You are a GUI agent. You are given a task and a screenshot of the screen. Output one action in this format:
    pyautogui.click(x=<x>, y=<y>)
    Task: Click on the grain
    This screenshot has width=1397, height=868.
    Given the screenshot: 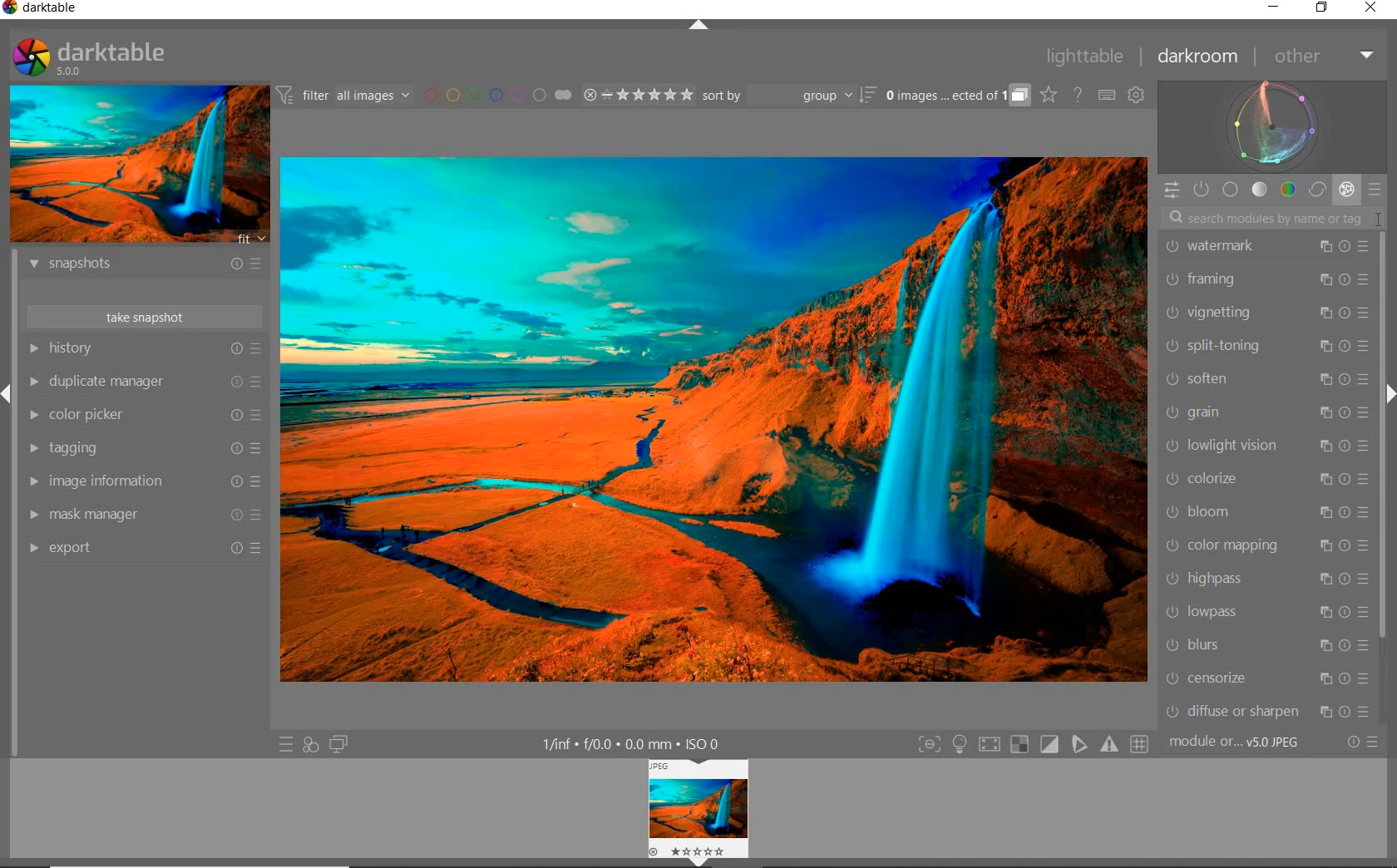 What is the action you would take?
    pyautogui.click(x=1266, y=414)
    